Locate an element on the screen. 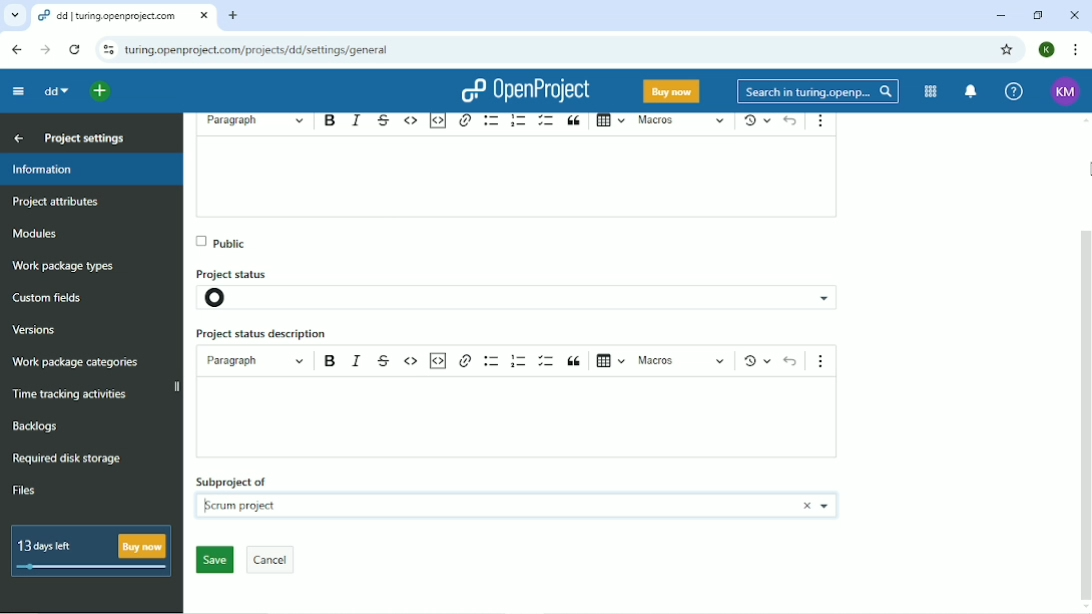 The image size is (1092, 614). turing.openprojects.com/projects/dd/settings/general is located at coordinates (263, 49).